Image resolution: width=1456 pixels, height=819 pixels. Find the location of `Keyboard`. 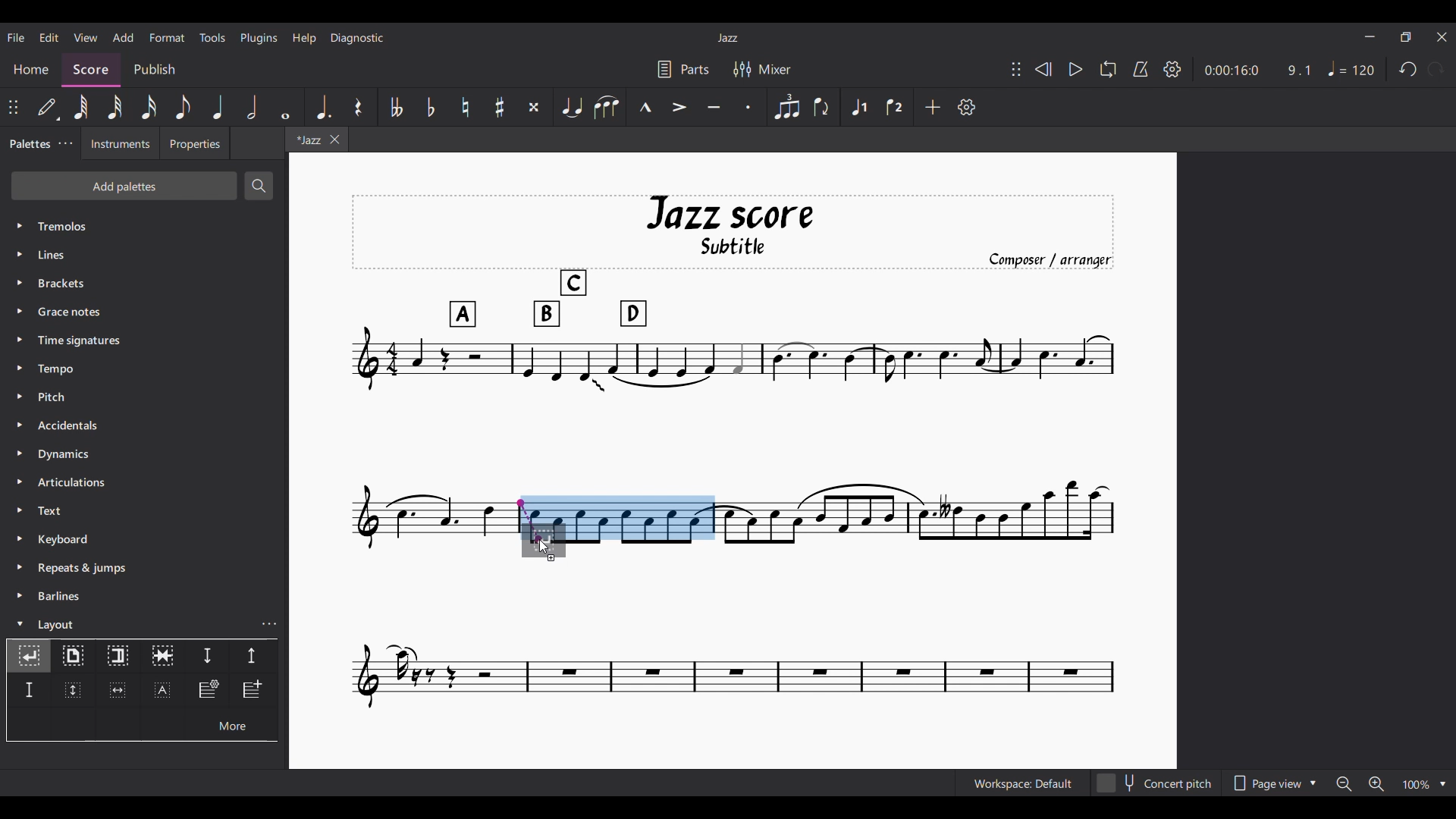

Keyboard is located at coordinates (145, 539).